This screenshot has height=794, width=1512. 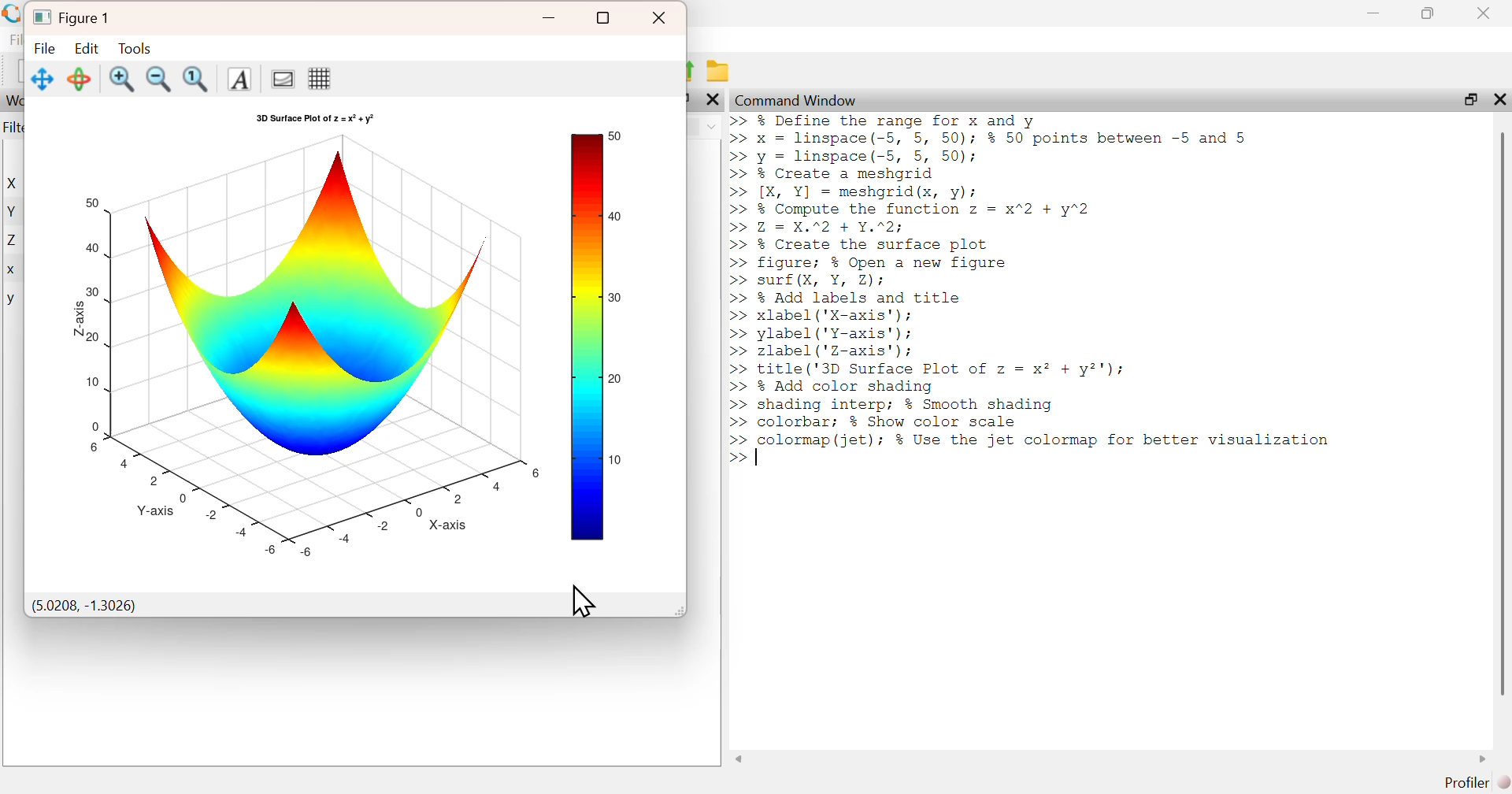 I want to click on Figure 1, so click(x=74, y=16).